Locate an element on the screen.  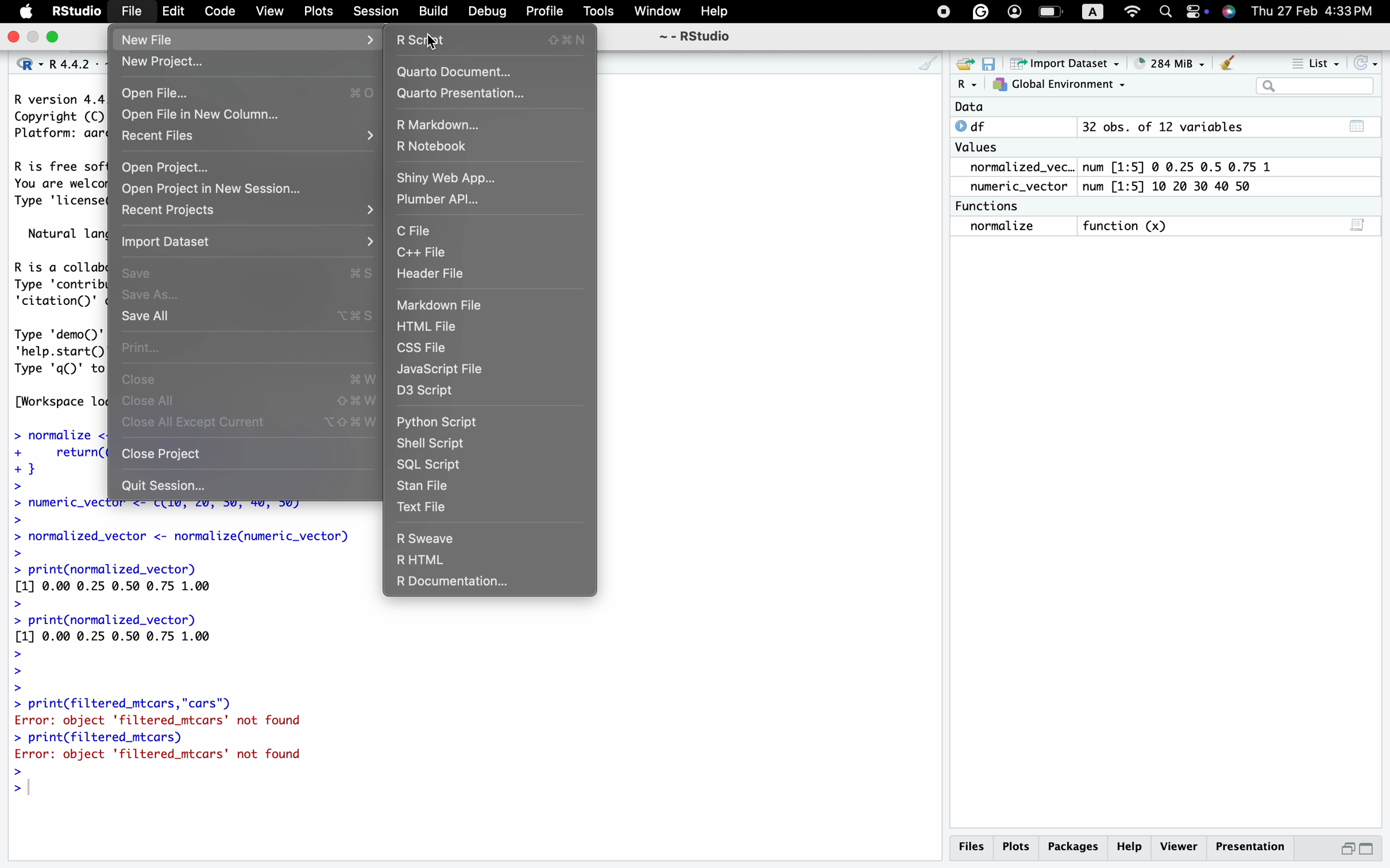
Shell Script is located at coordinates (435, 442).